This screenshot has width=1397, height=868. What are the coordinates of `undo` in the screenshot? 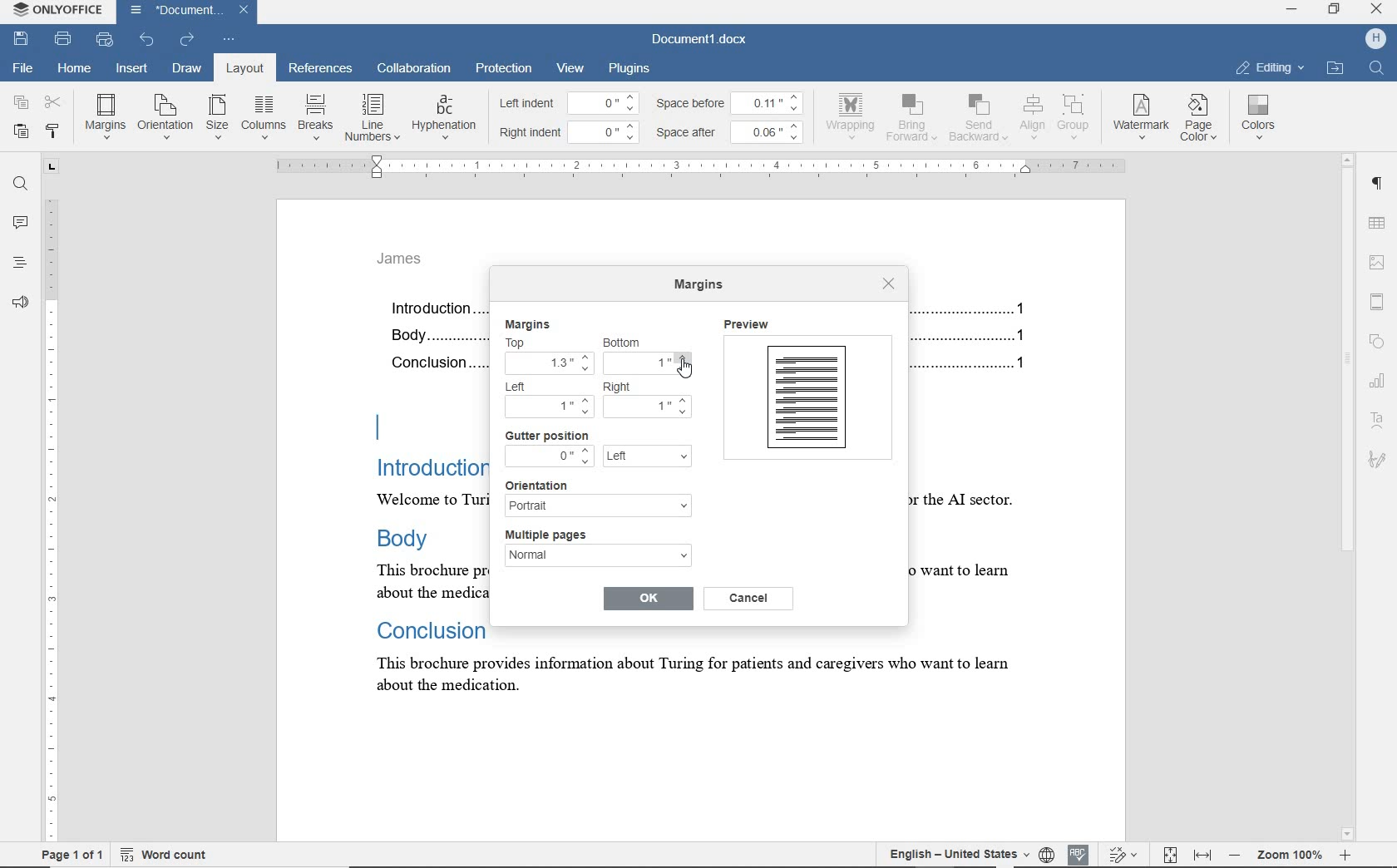 It's located at (146, 40).